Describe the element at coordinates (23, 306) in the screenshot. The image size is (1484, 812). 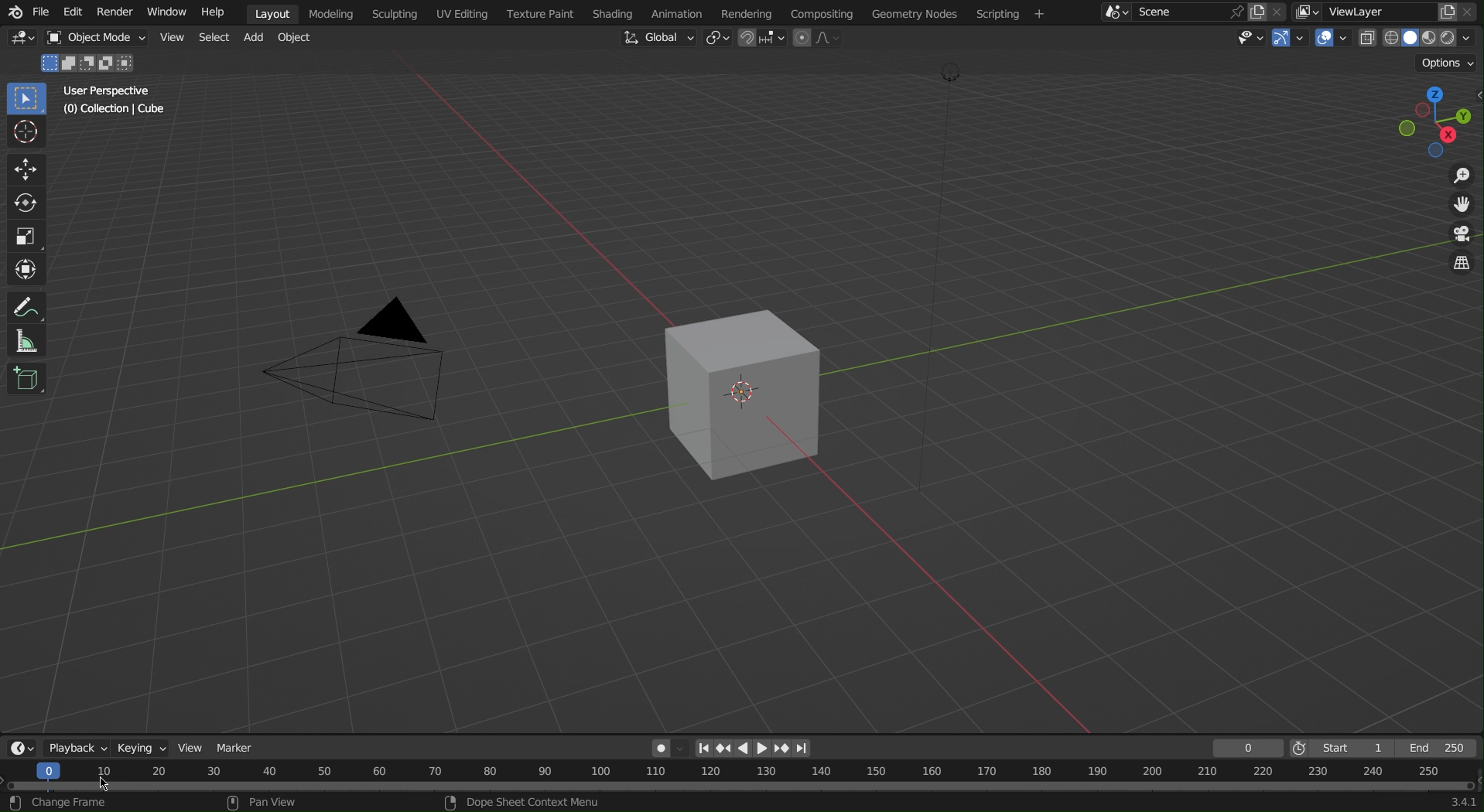
I see `Annotate` at that location.